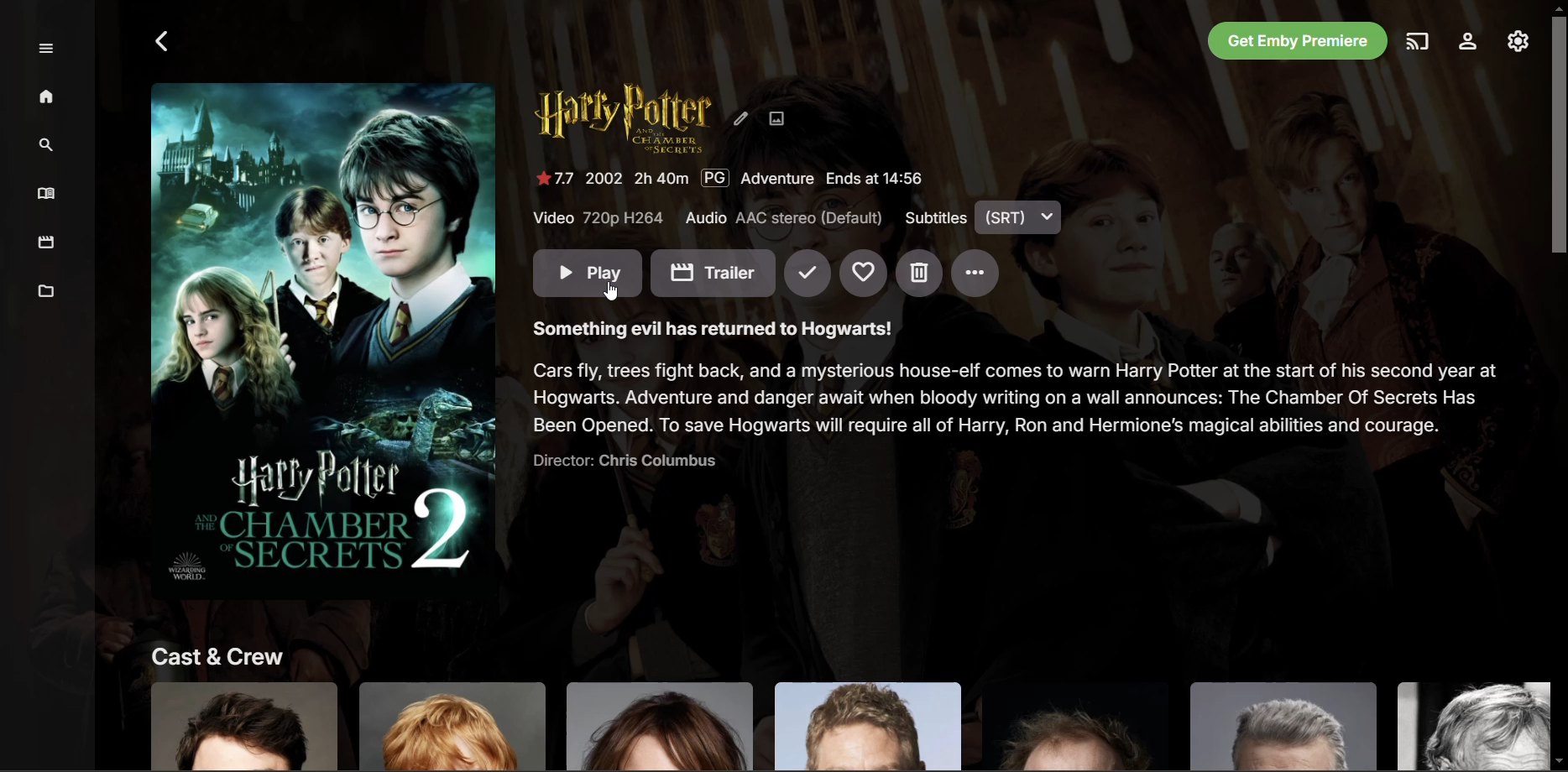 This screenshot has width=1568, height=772. What do you see at coordinates (48, 243) in the screenshot?
I see `Movies` at bounding box center [48, 243].